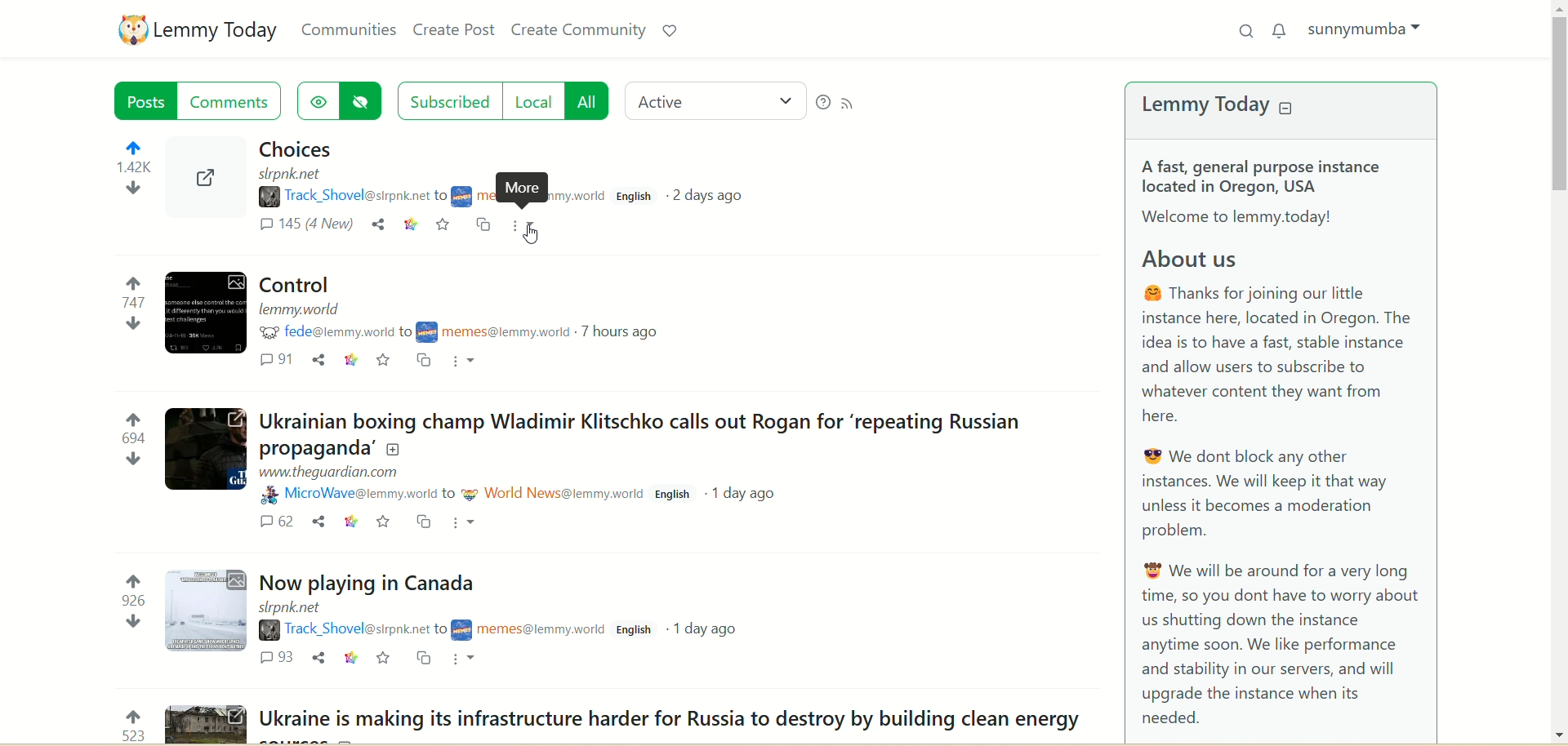 This screenshot has width=1568, height=746. What do you see at coordinates (409, 225) in the screenshot?
I see `link` at bounding box center [409, 225].